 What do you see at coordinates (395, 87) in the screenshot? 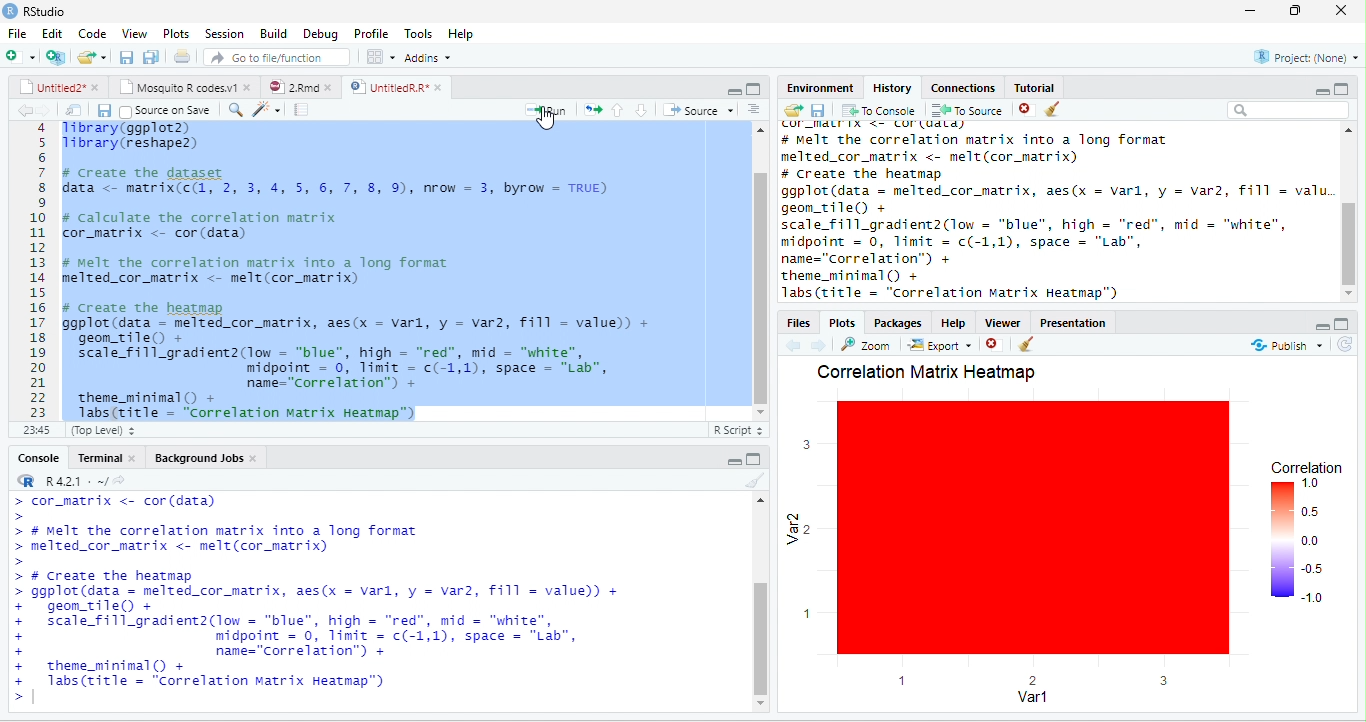
I see `untitledR` at bounding box center [395, 87].